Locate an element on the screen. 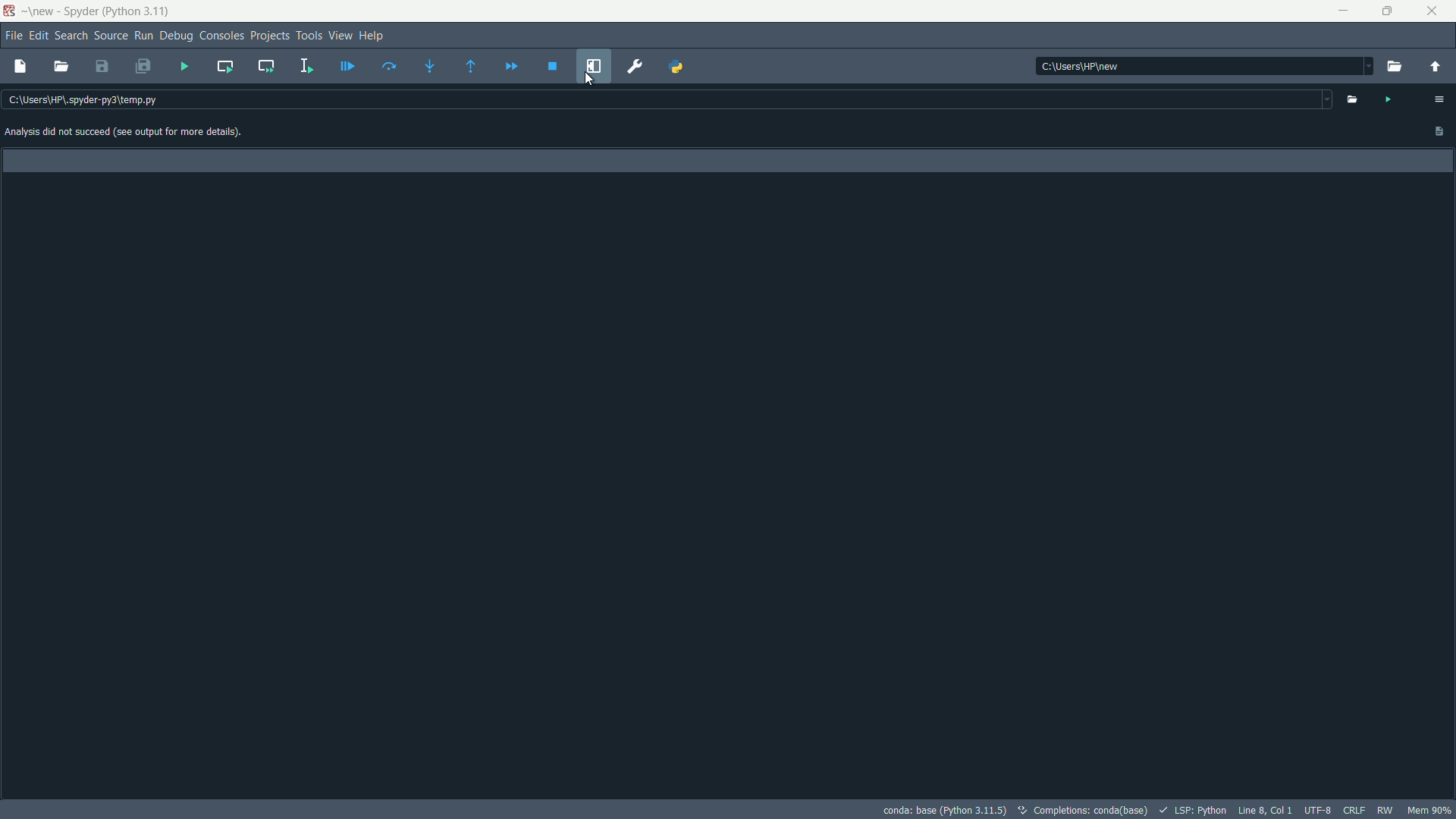  run current cell and go to the next one is located at coordinates (263, 67).